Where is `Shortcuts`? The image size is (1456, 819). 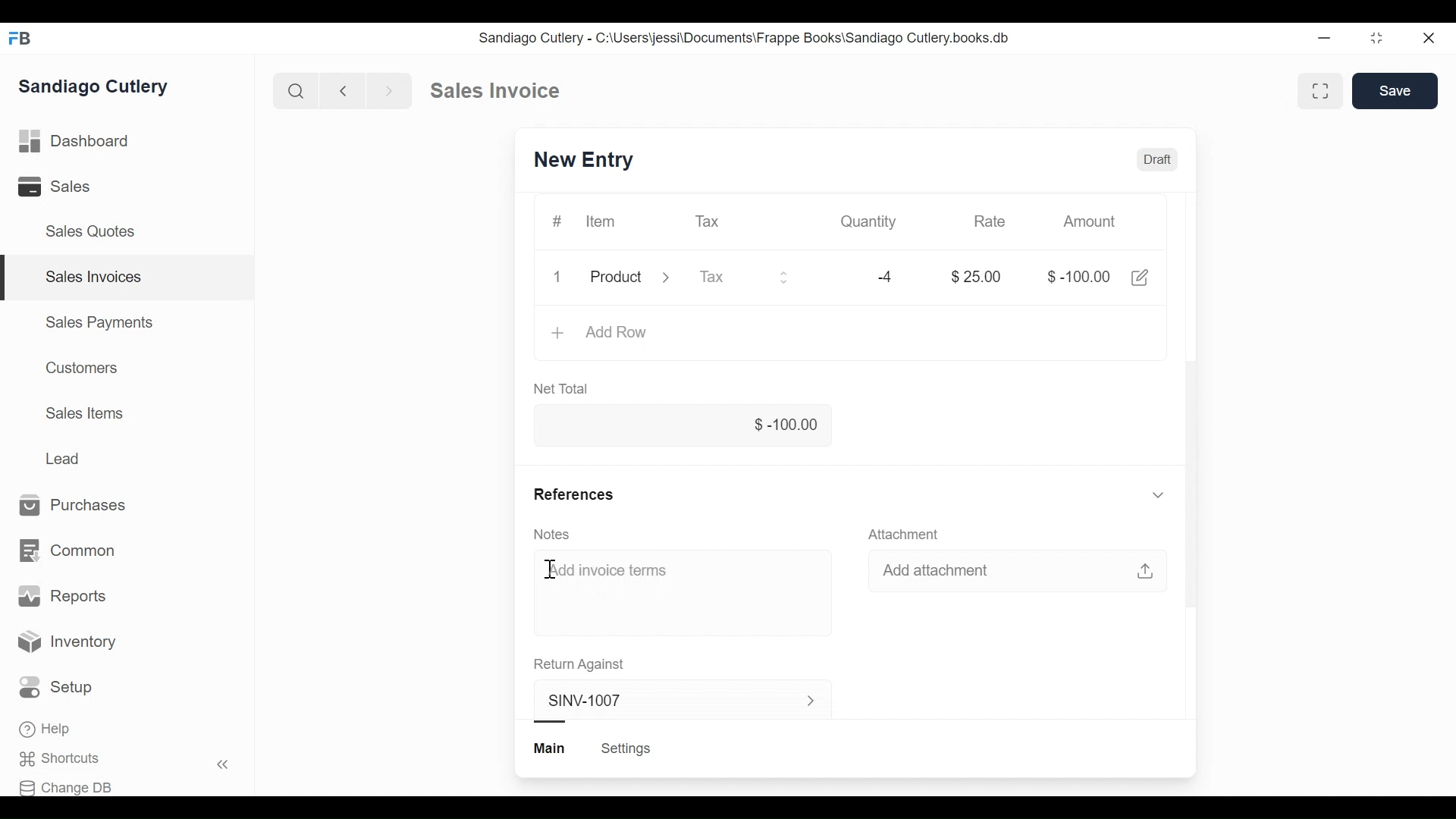 Shortcuts is located at coordinates (58, 758).